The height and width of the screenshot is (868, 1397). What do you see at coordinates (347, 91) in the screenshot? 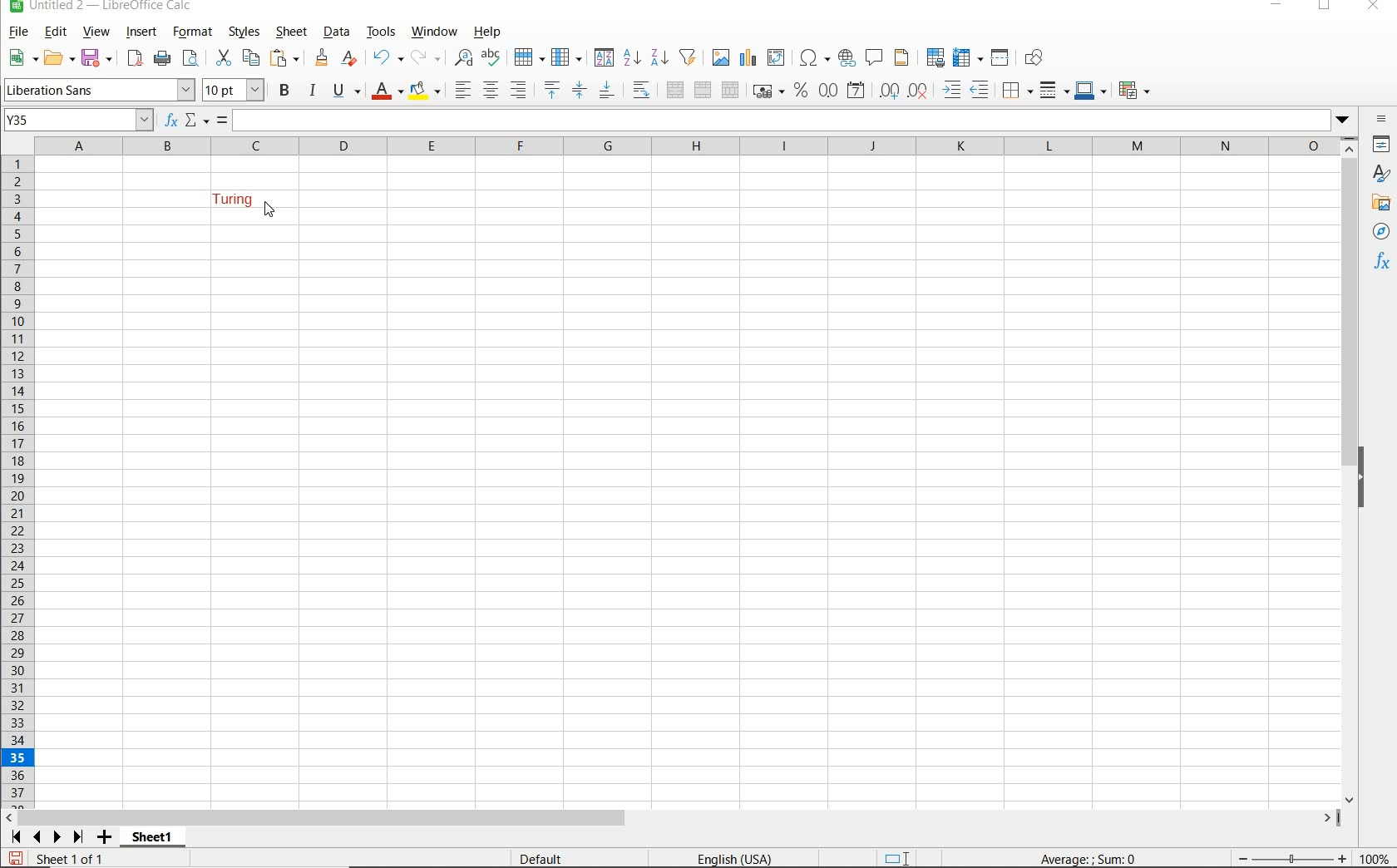
I see `UNDERLINE` at bounding box center [347, 91].